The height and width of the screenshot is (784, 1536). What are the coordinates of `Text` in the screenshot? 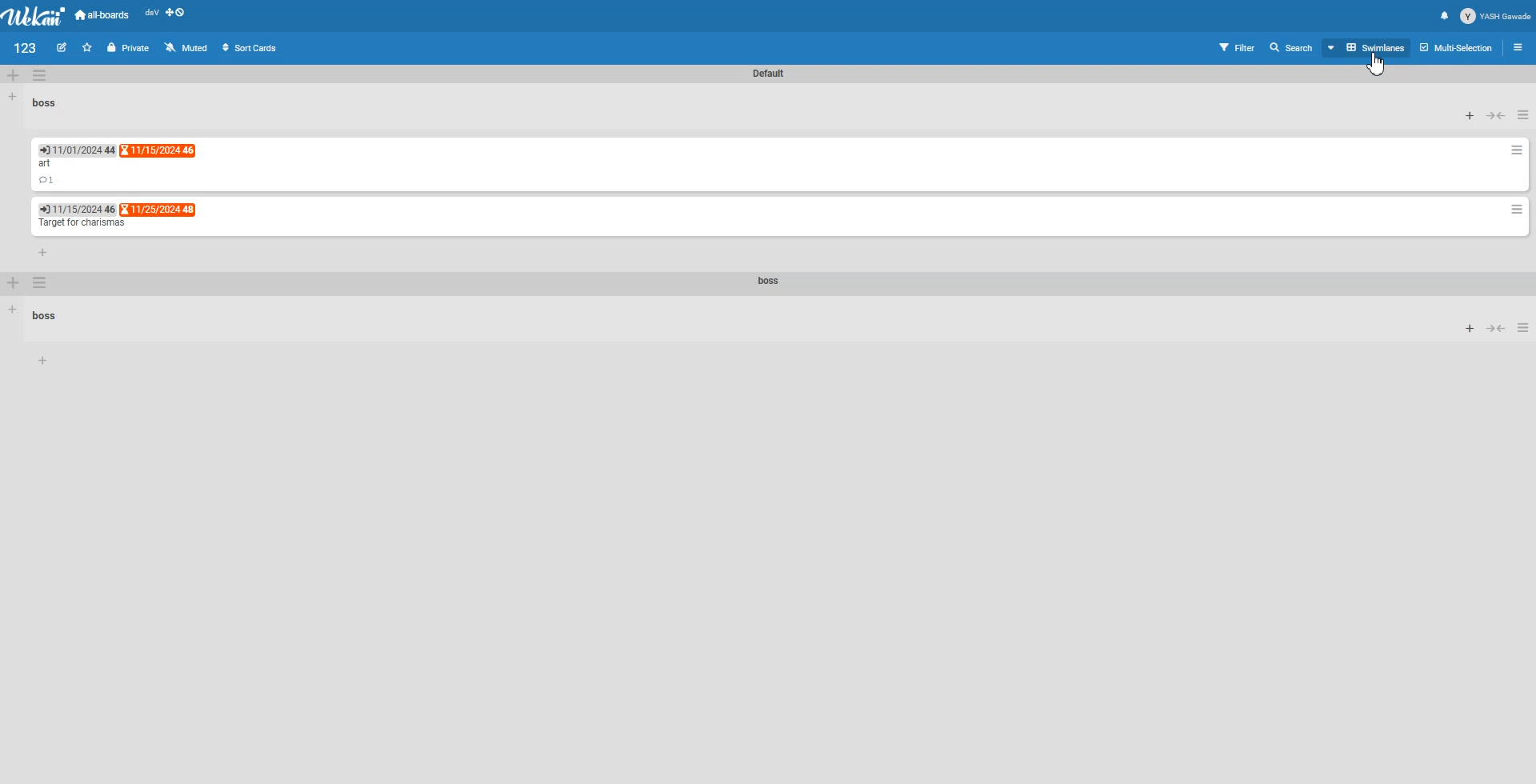 It's located at (47, 316).